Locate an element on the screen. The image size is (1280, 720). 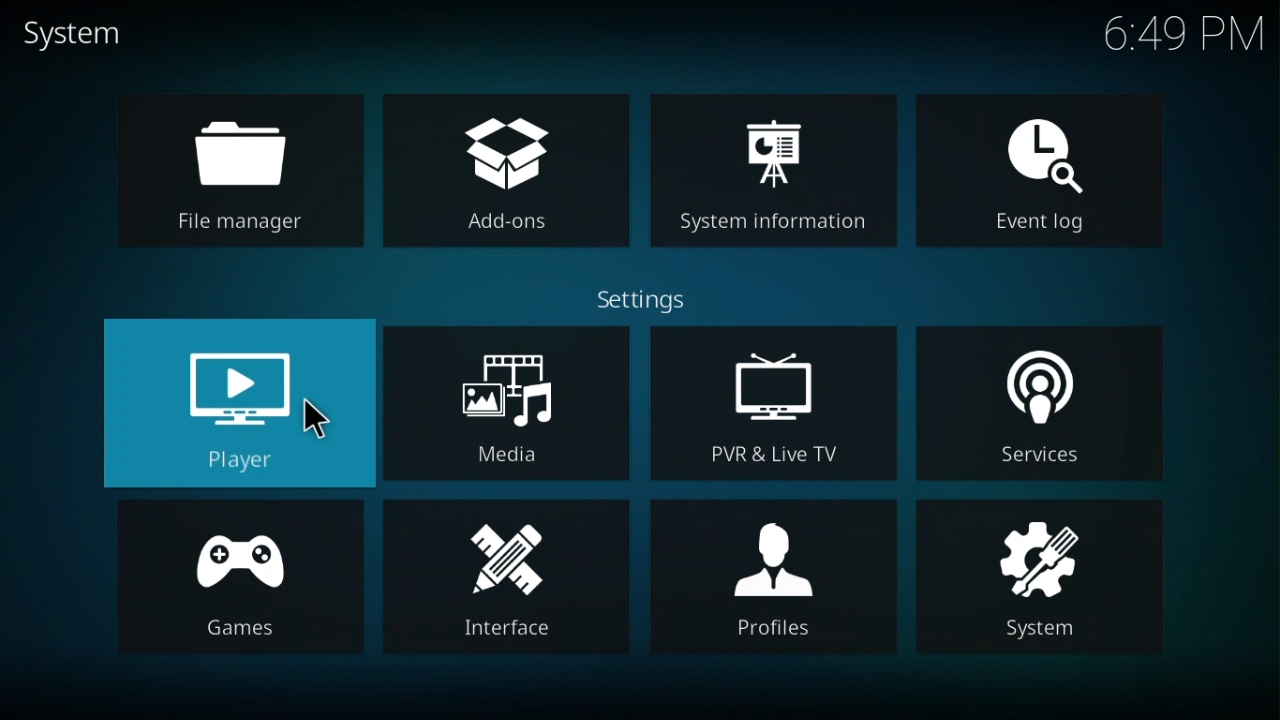
cursor is located at coordinates (321, 419).